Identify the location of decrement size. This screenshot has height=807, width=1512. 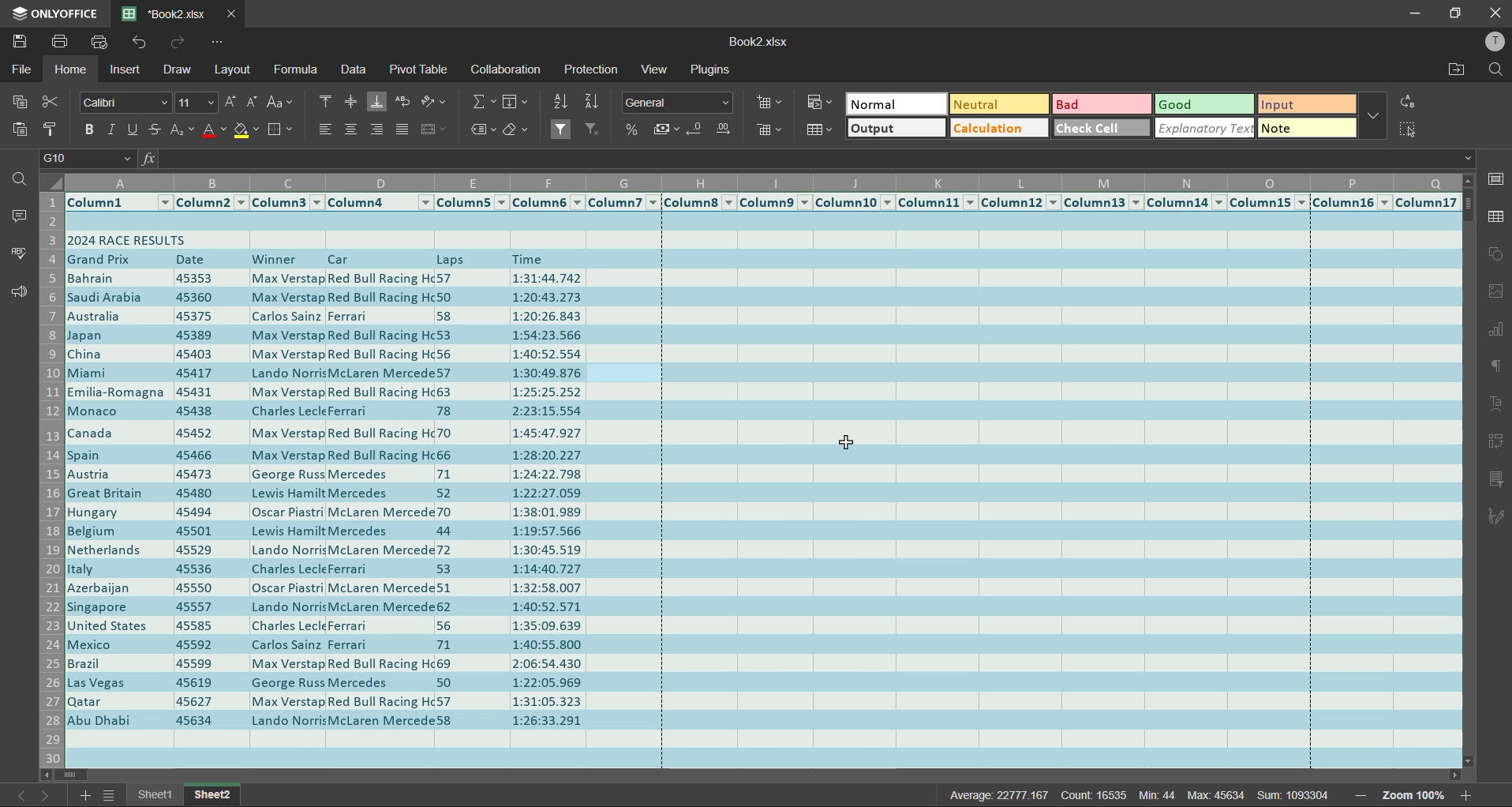
(253, 103).